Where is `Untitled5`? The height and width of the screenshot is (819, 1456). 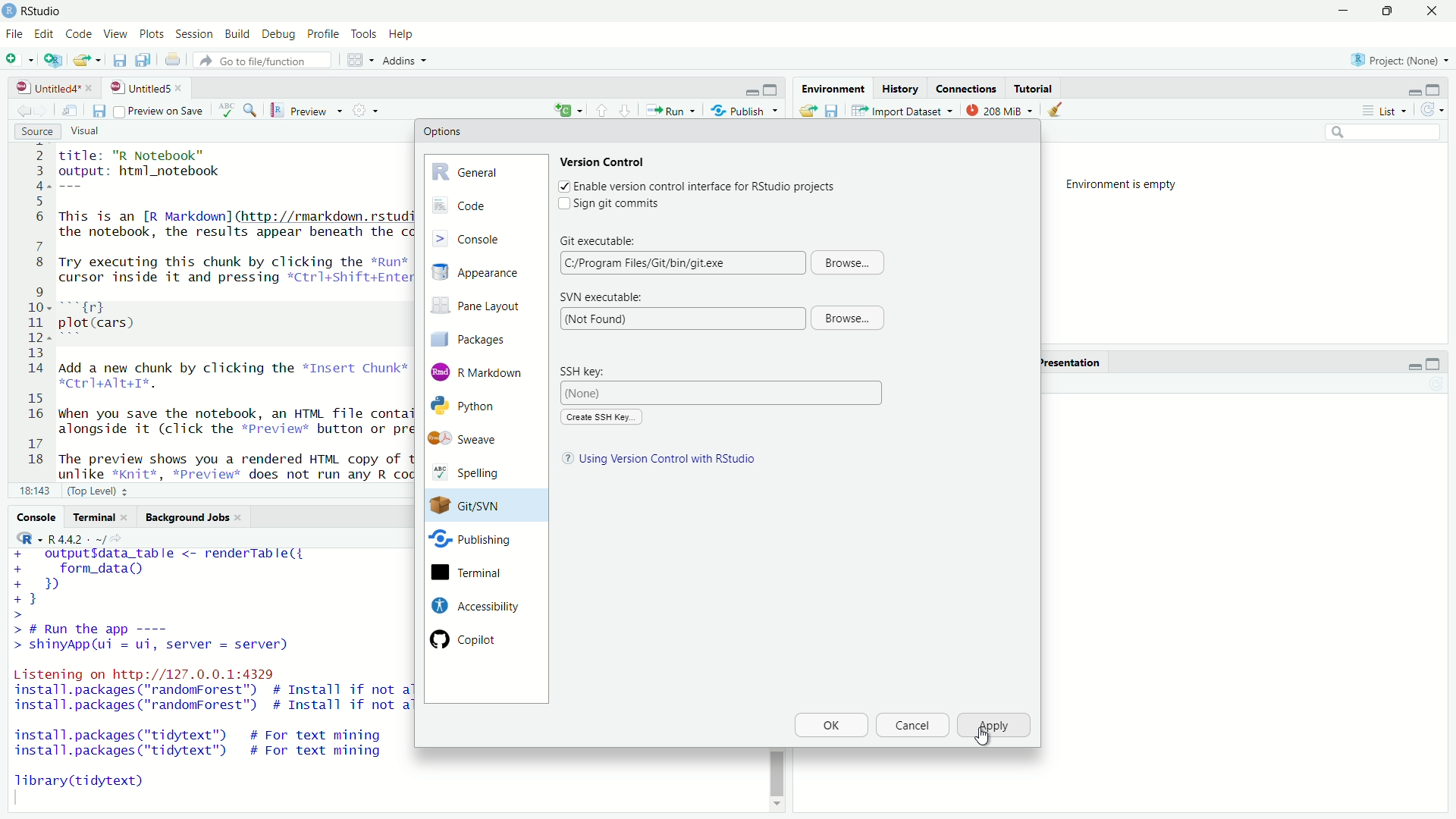
Untitled5 is located at coordinates (138, 88).